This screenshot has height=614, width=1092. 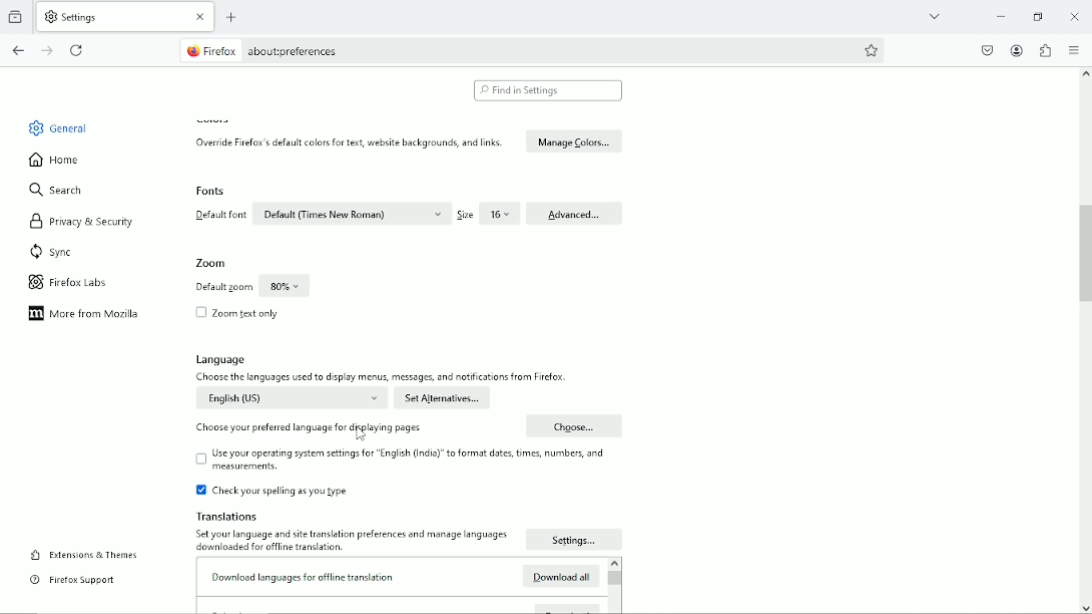 I want to click on Download all, so click(x=560, y=575).